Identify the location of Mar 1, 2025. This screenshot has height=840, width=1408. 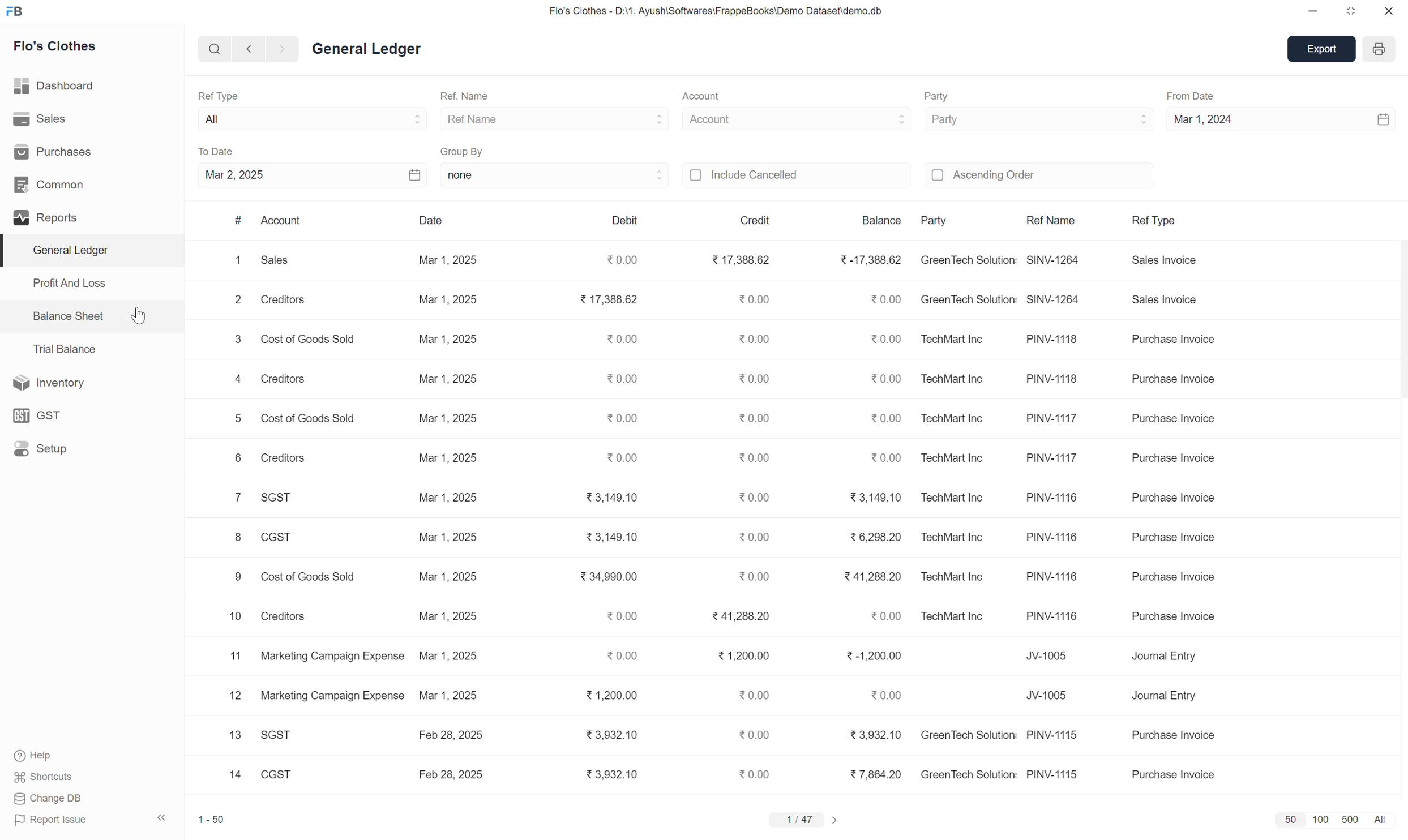
(451, 537).